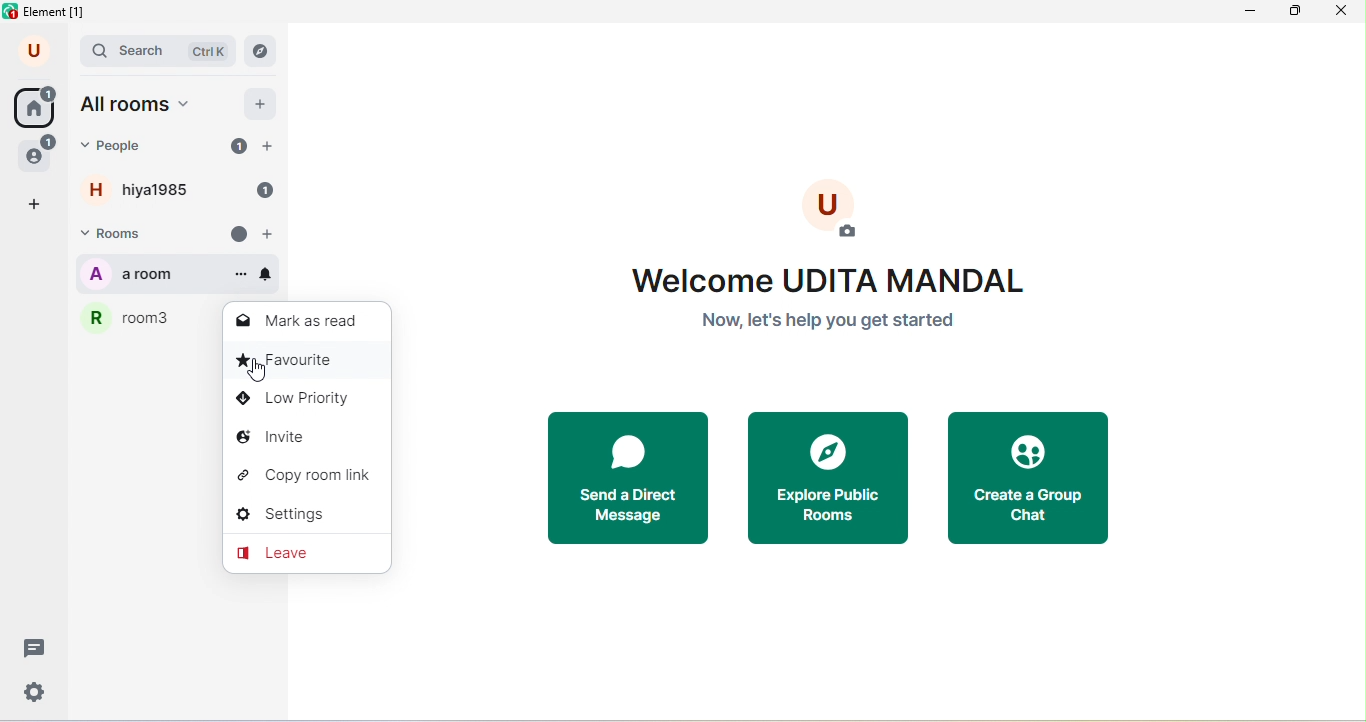 This screenshot has height=722, width=1366. I want to click on add people, so click(268, 147).